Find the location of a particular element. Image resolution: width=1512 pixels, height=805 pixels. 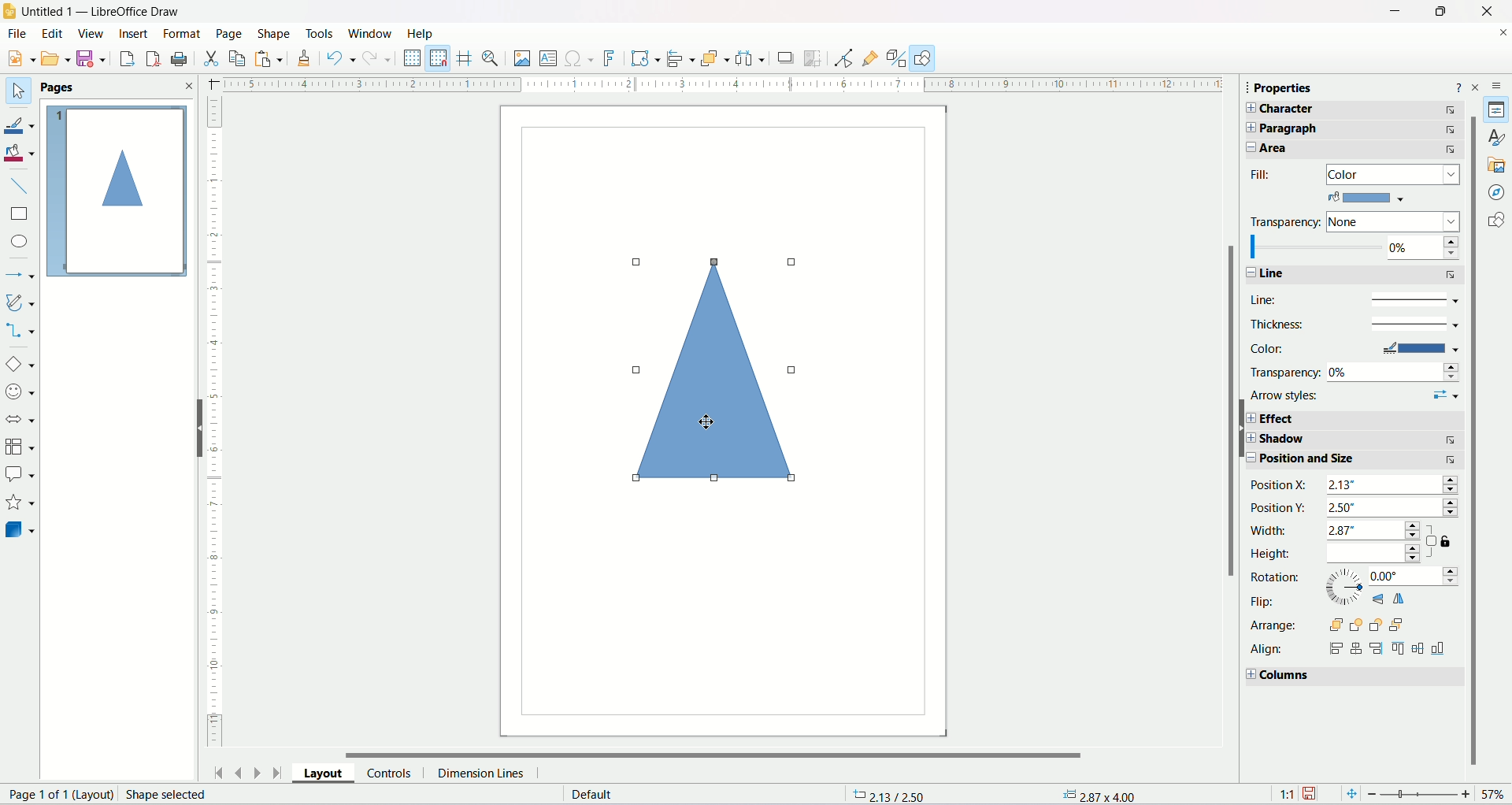

Insert line is located at coordinates (20, 185).